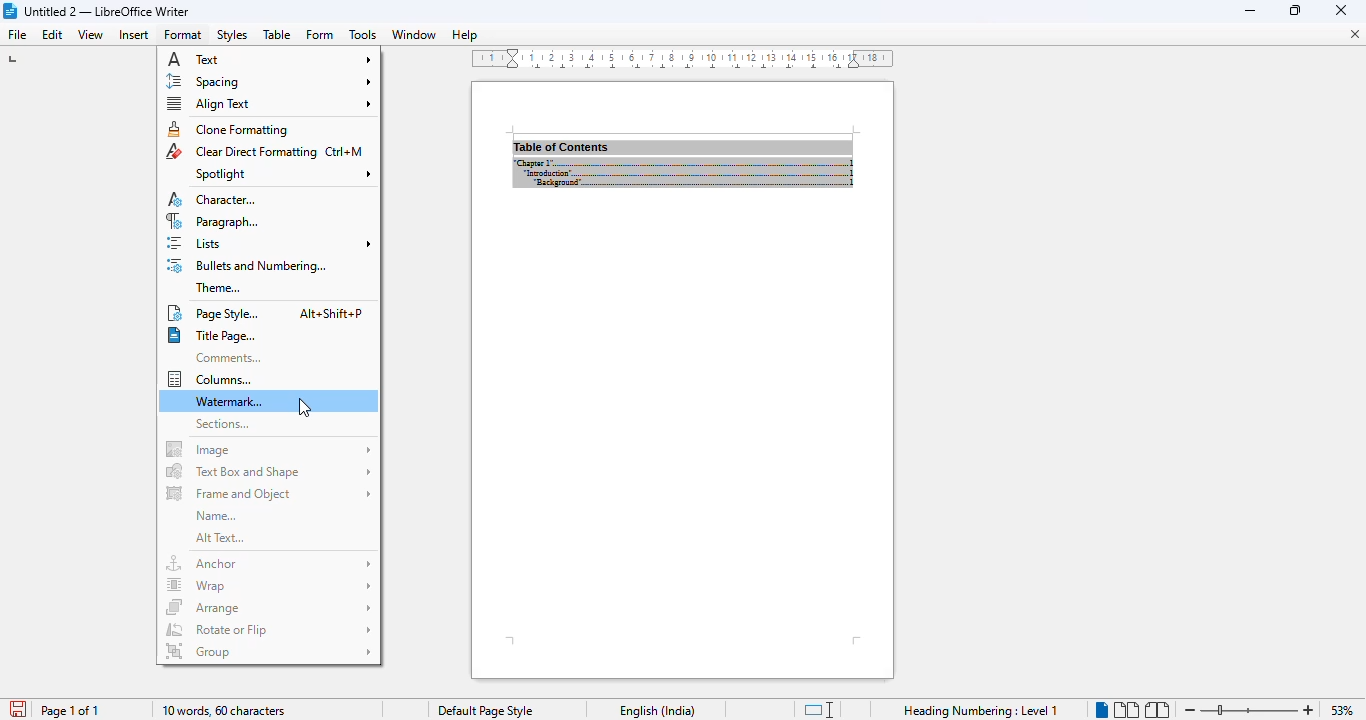 The height and width of the screenshot is (720, 1366). I want to click on zoom in or zoom out bar, so click(1250, 709).